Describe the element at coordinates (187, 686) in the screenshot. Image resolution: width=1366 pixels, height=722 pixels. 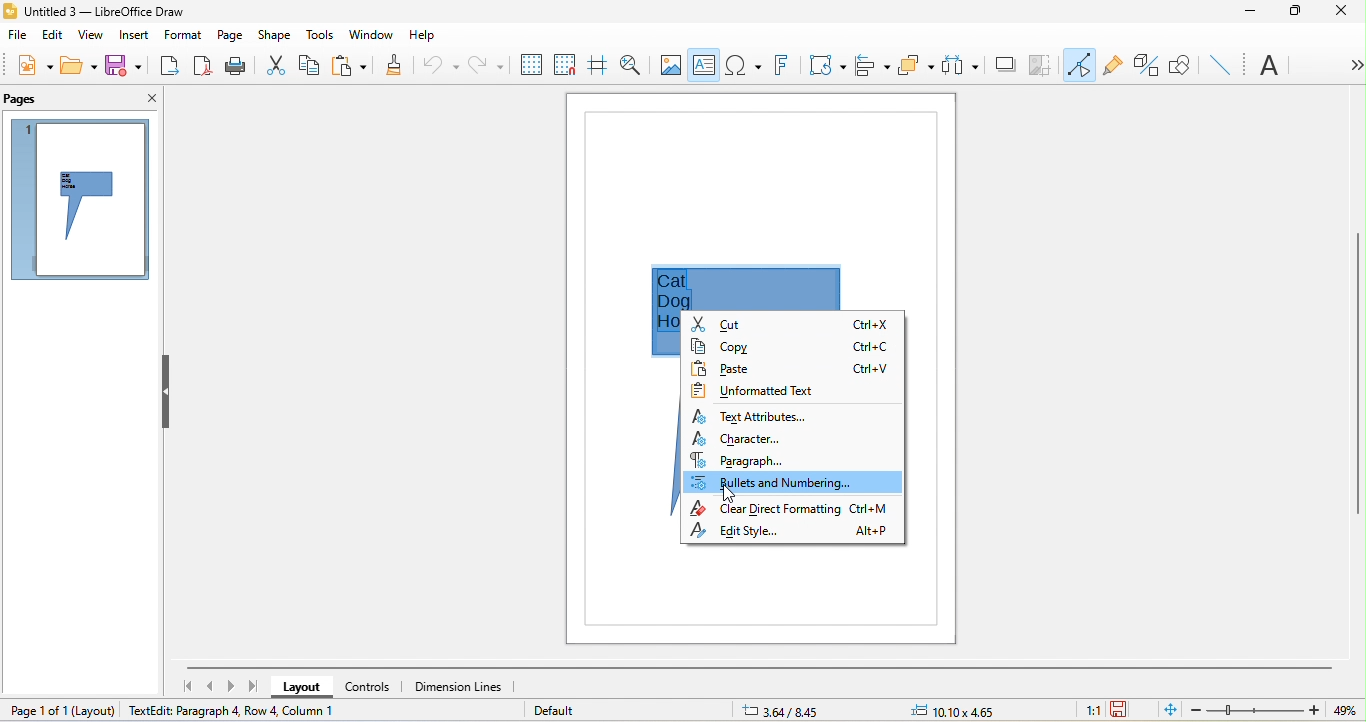
I see `first page` at that location.